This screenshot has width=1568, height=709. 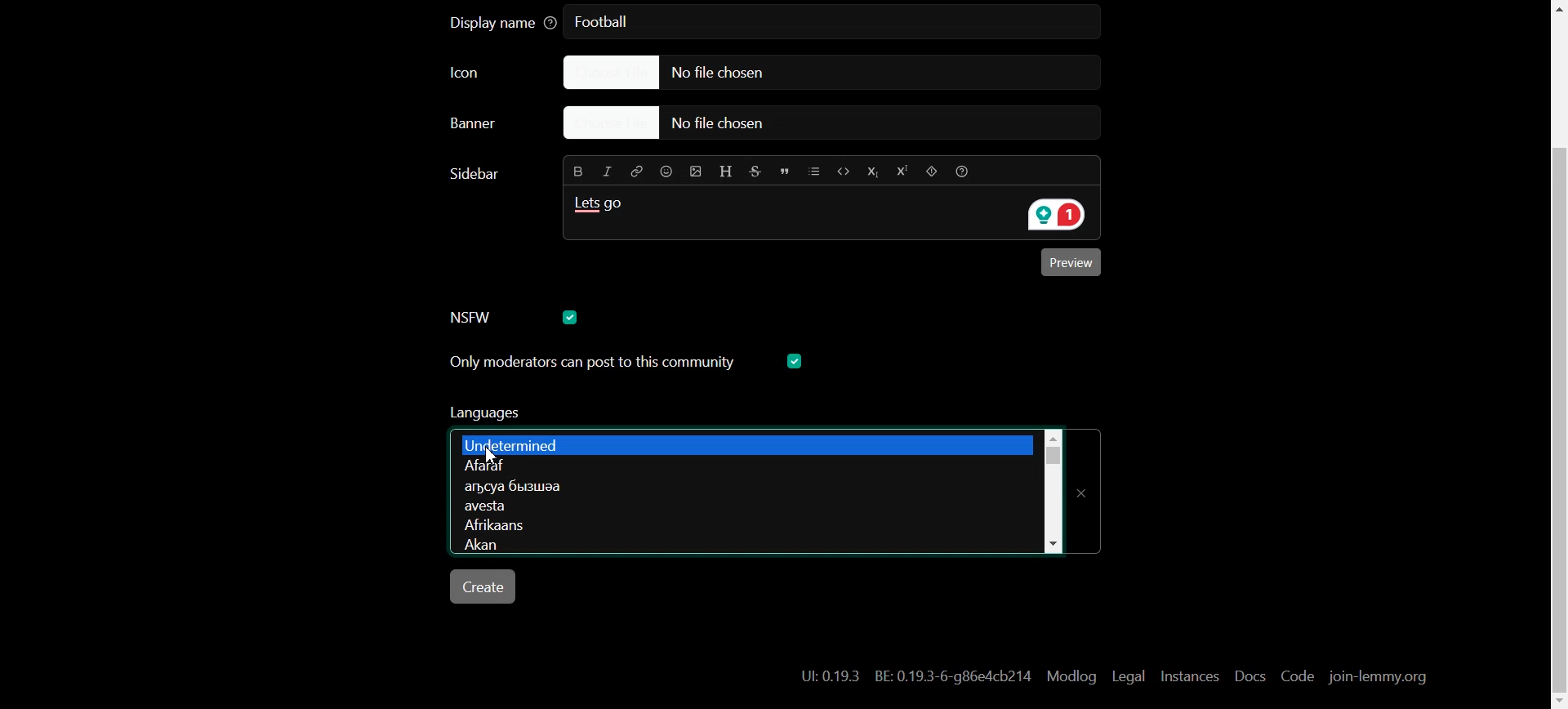 I want to click on Language, so click(x=744, y=465).